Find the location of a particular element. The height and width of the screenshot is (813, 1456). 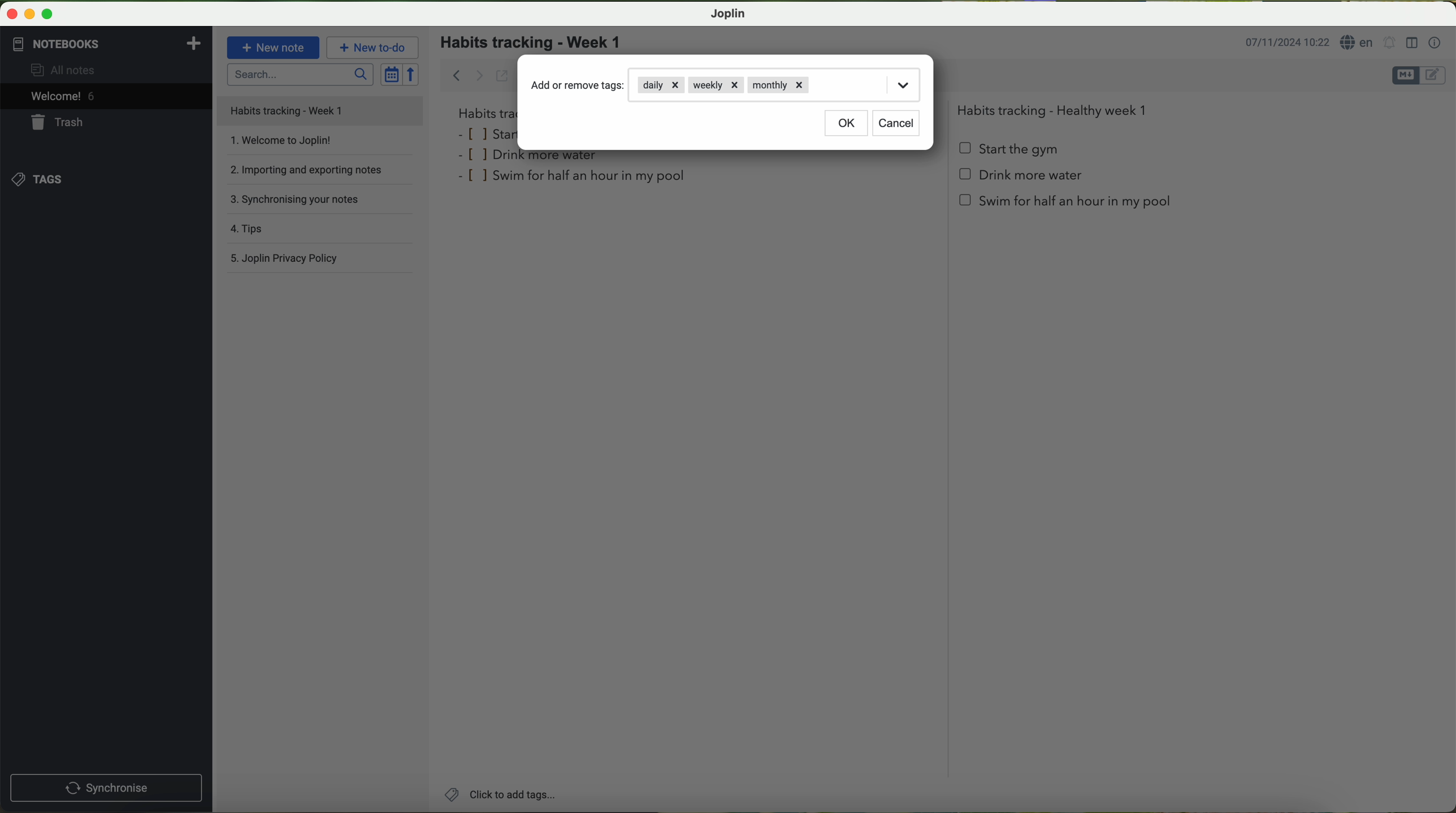

new note button is located at coordinates (274, 47).